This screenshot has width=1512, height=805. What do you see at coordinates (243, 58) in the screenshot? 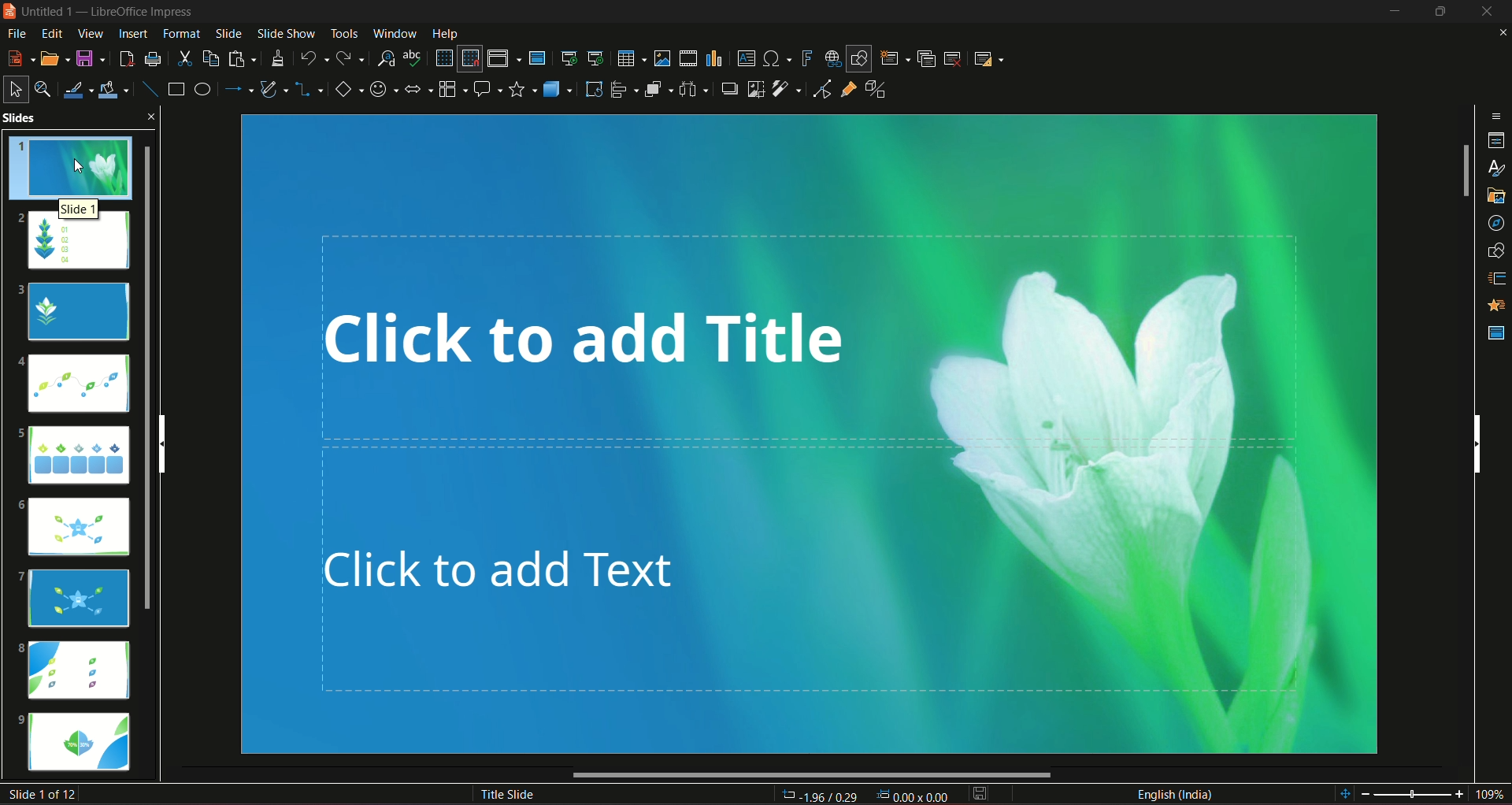
I see `paste` at bounding box center [243, 58].